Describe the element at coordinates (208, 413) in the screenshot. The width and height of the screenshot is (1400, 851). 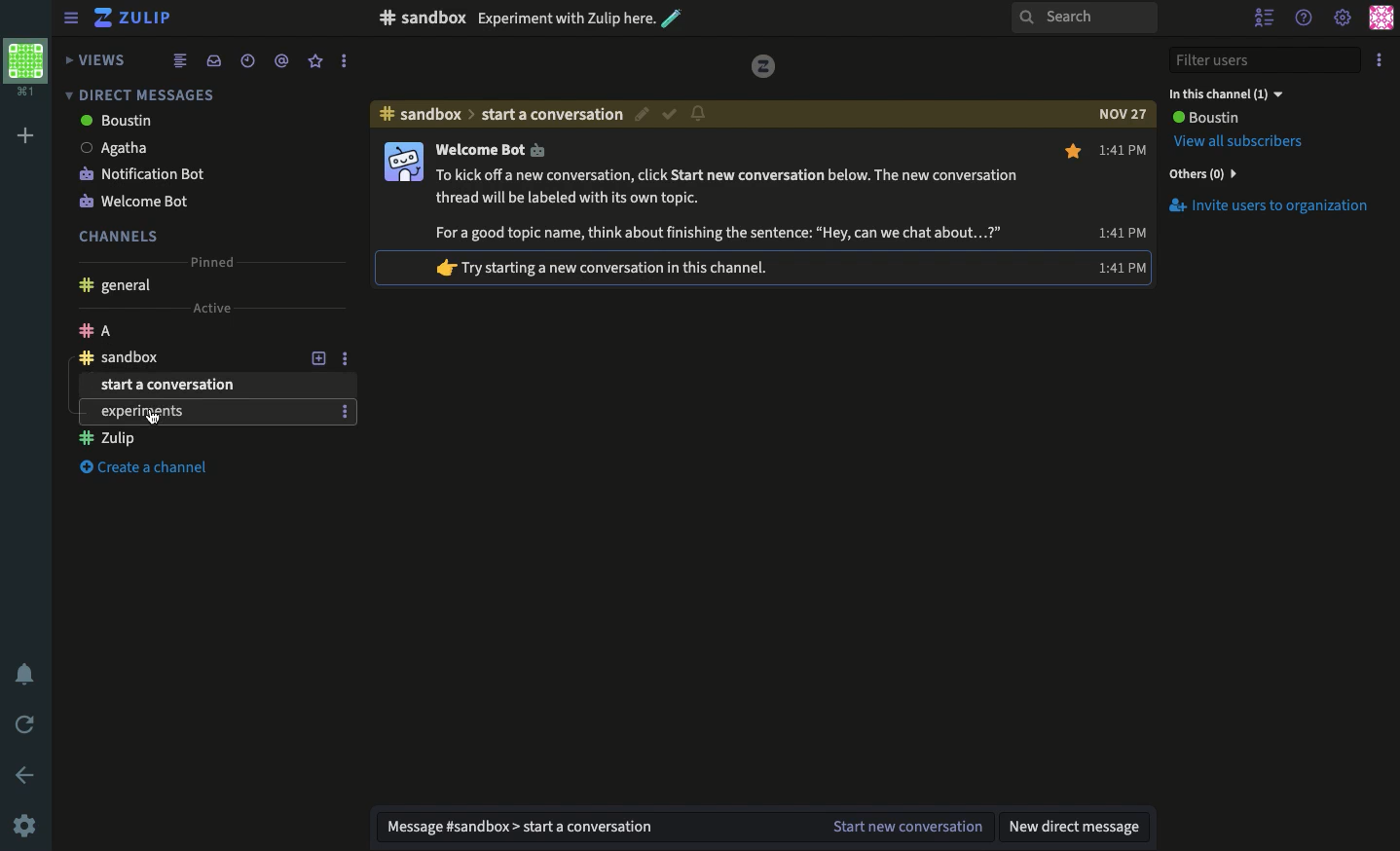
I see `channel zulip` at that location.